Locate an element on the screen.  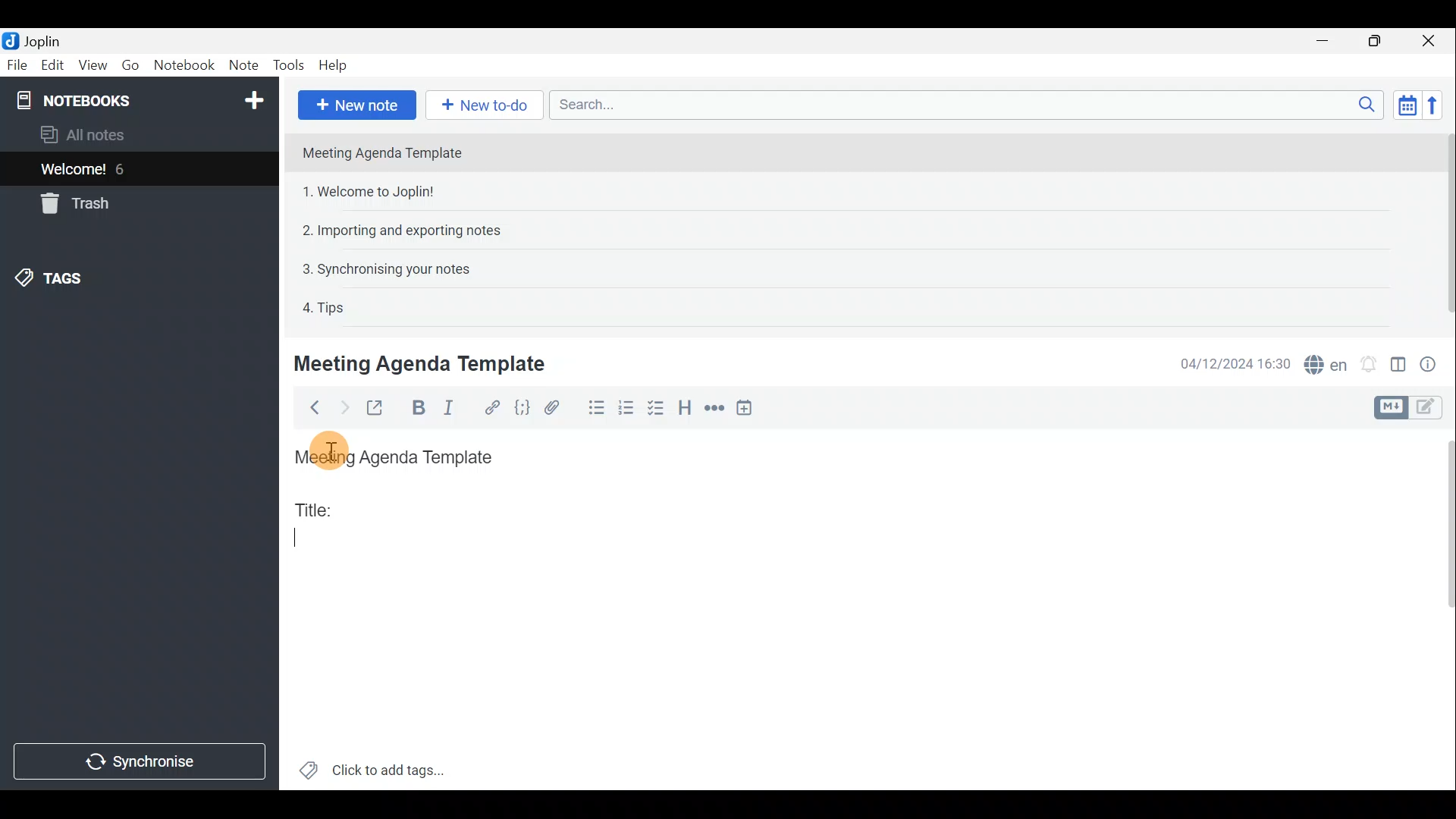
File is located at coordinates (17, 64).